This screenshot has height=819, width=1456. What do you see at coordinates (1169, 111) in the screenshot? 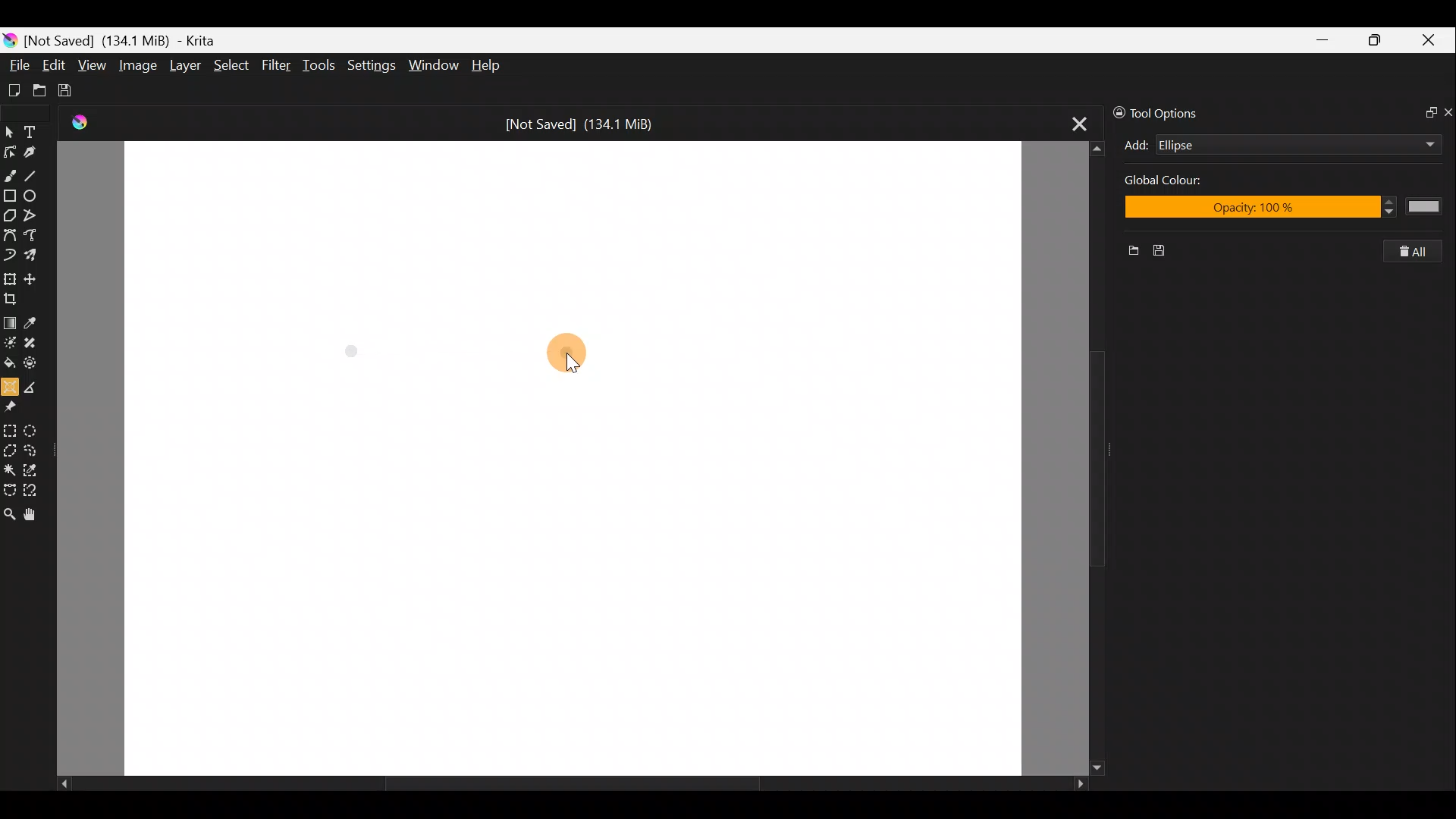
I see `Tool options` at bounding box center [1169, 111].